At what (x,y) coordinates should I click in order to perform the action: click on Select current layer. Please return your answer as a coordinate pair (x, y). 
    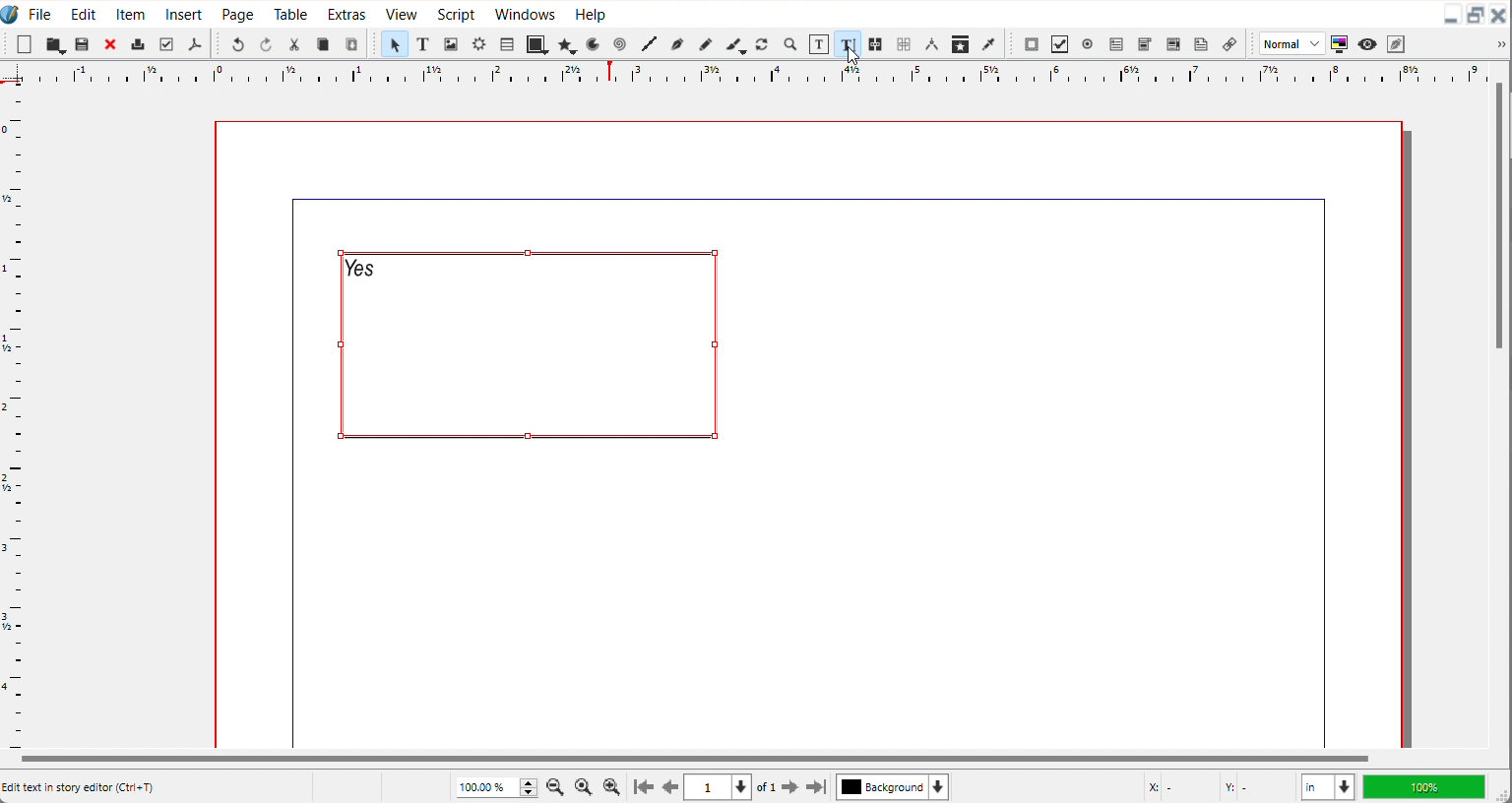
    Looking at the image, I should click on (893, 786).